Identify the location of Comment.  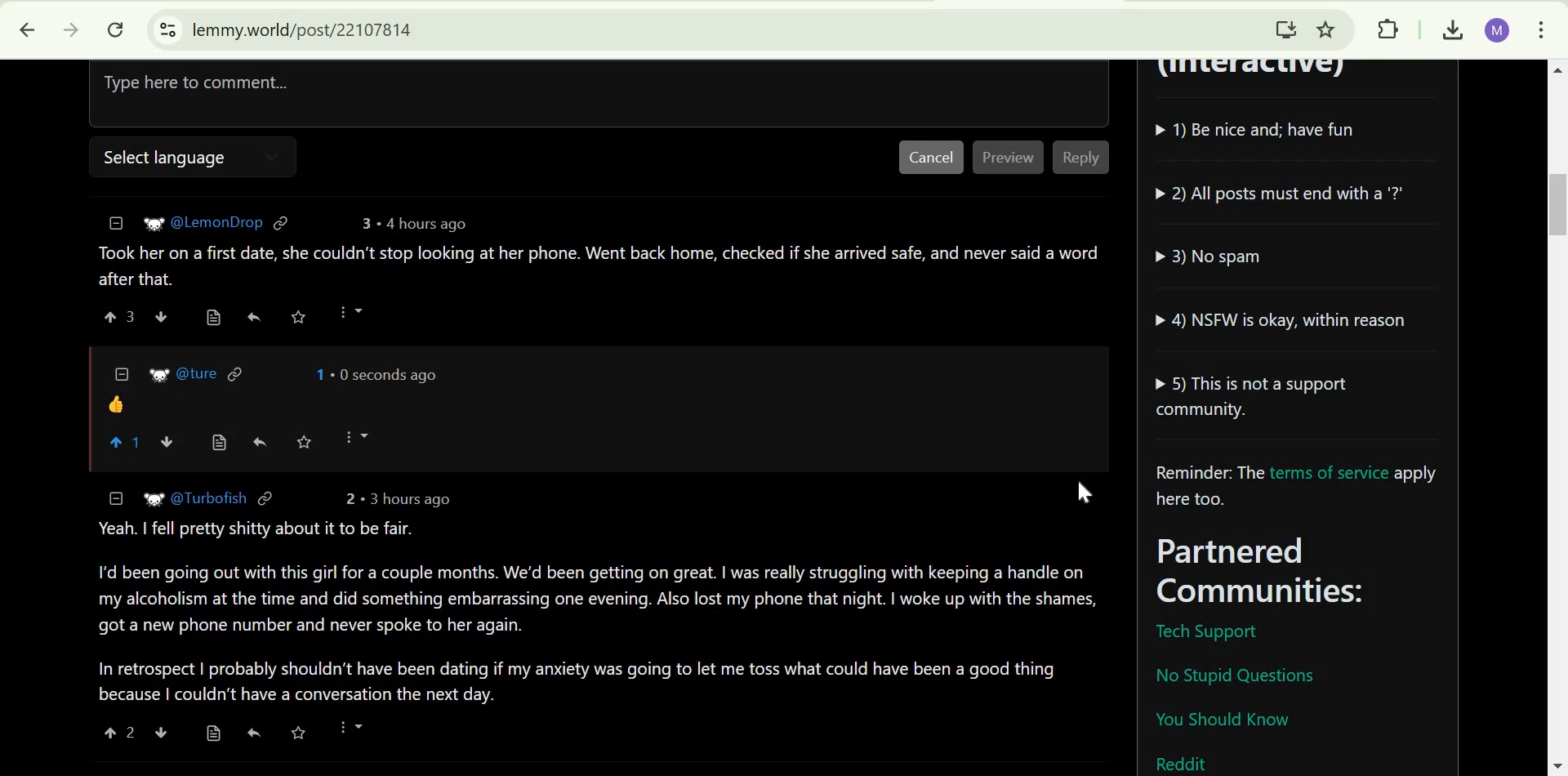
(595, 596).